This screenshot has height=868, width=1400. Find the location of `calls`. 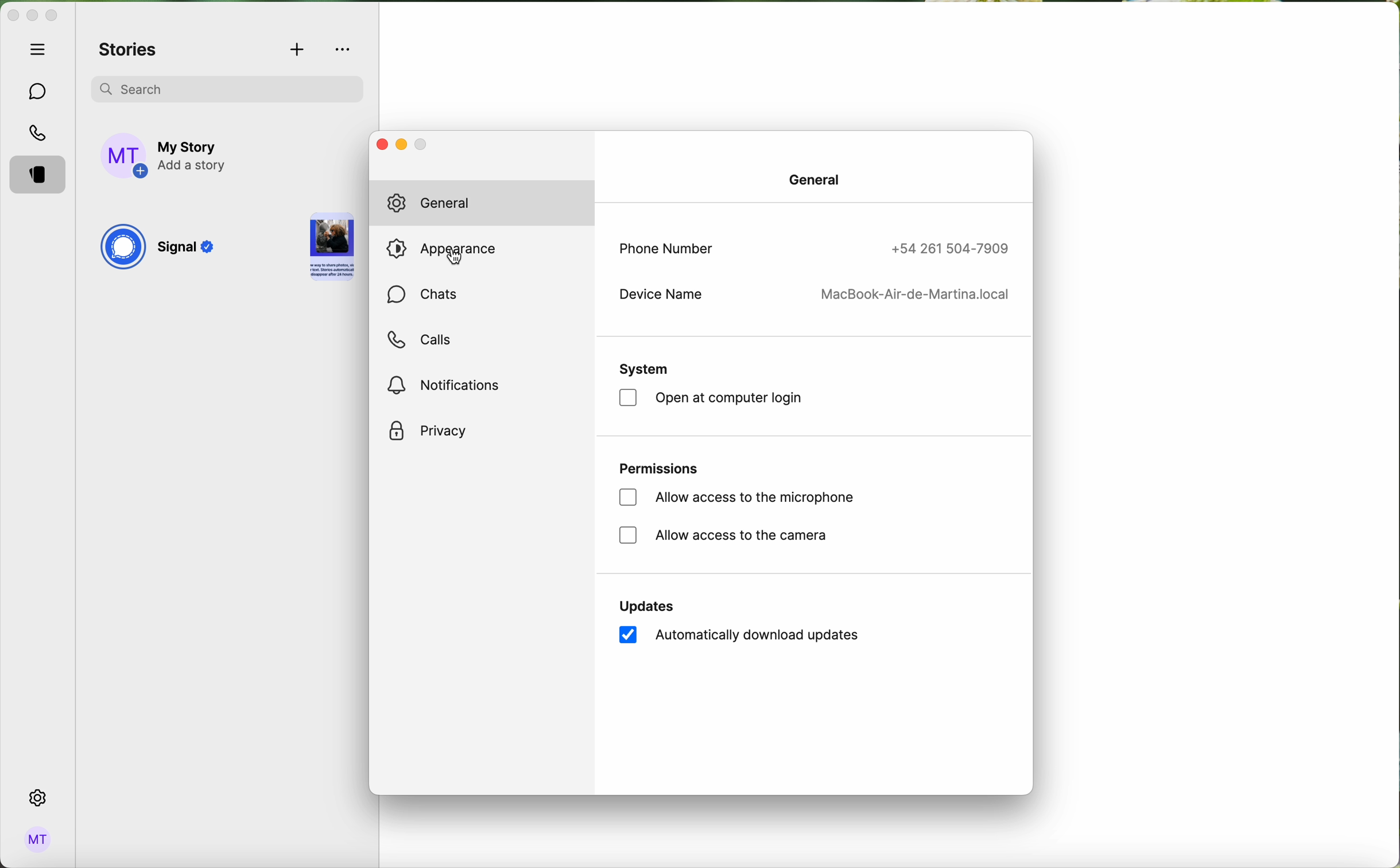

calls is located at coordinates (418, 340).